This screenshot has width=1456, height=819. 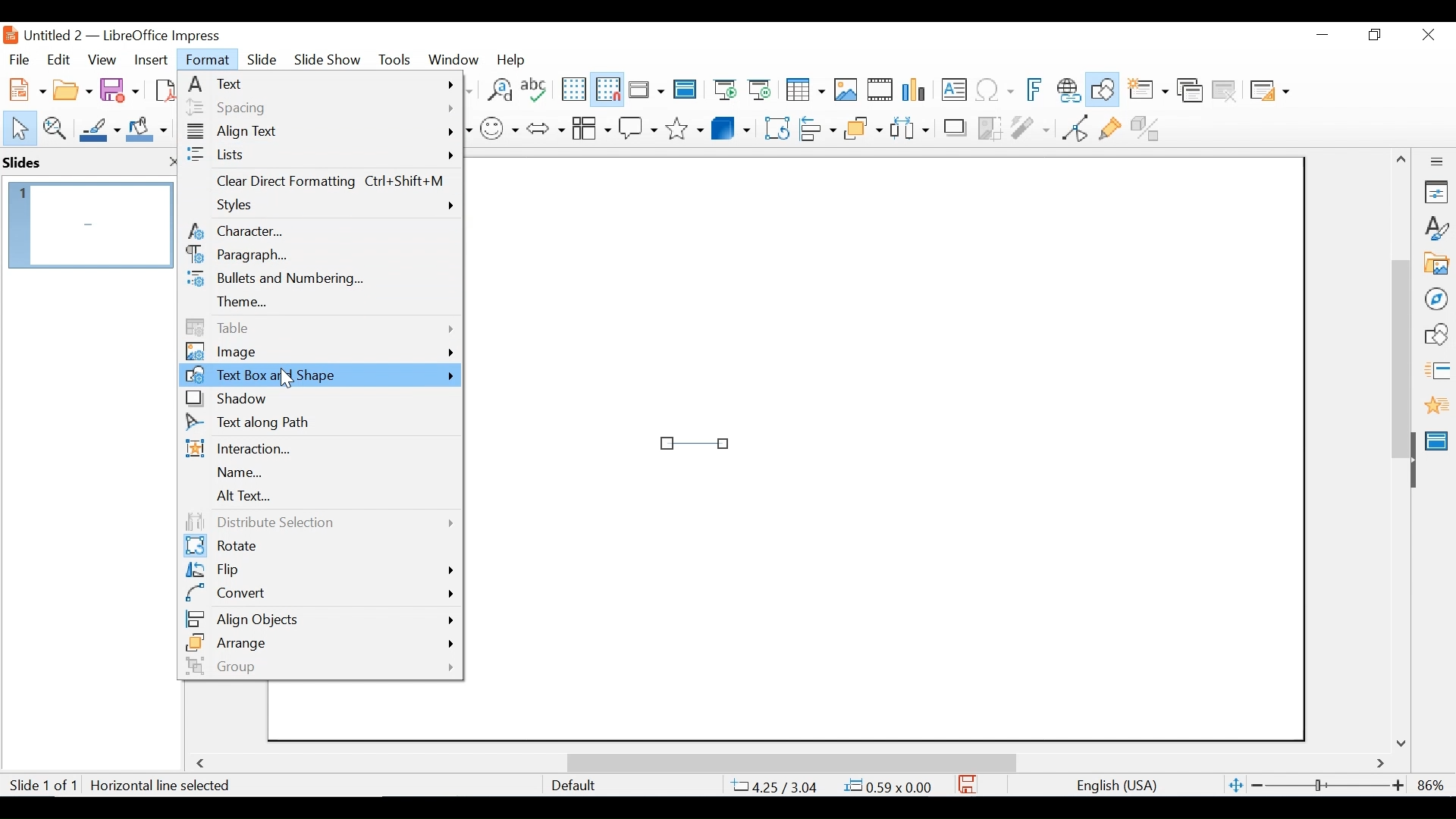 I want to click on Paragraph, so click(x=319, y=256).